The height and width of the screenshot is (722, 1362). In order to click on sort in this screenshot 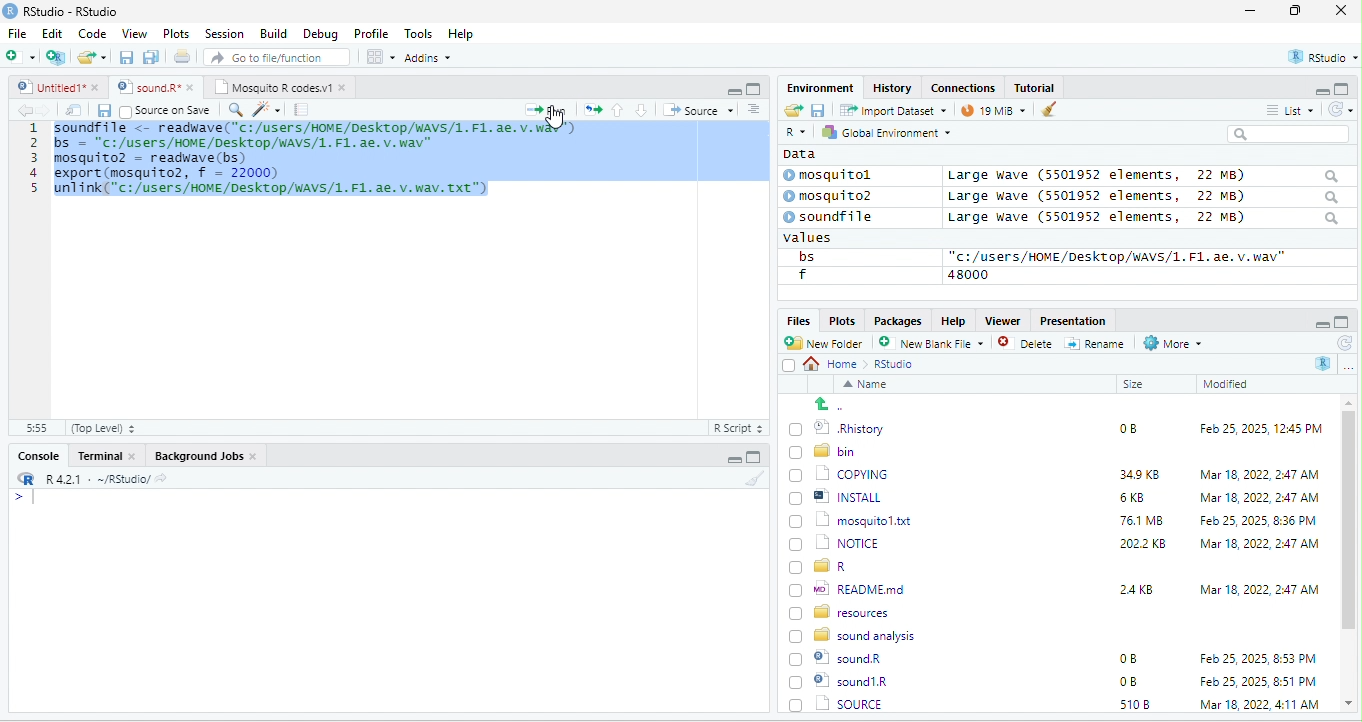, I will do `click(753, 108)`.